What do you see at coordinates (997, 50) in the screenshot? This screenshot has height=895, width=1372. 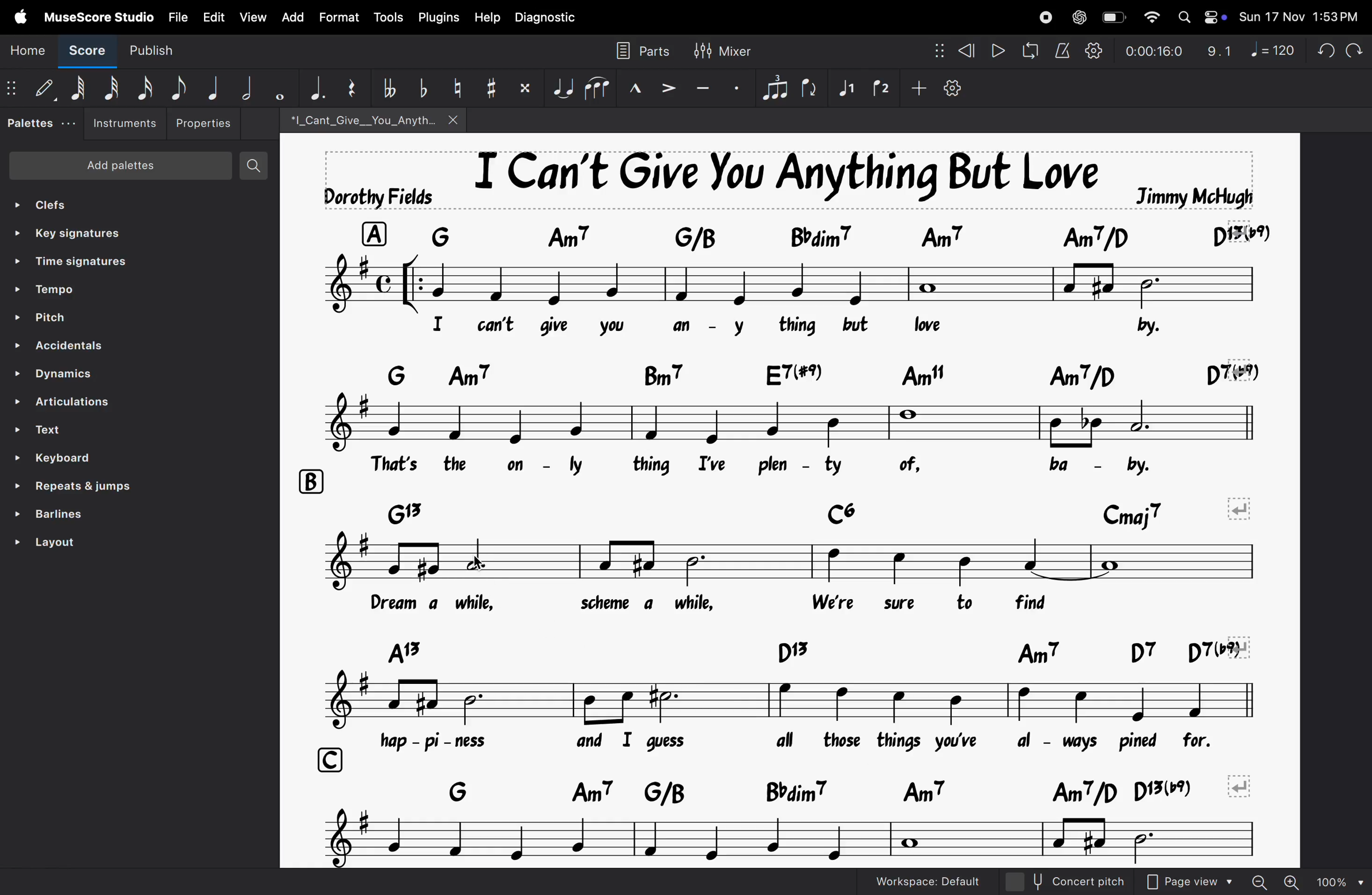 I see `play rewind` at bounding box center [997, 50].